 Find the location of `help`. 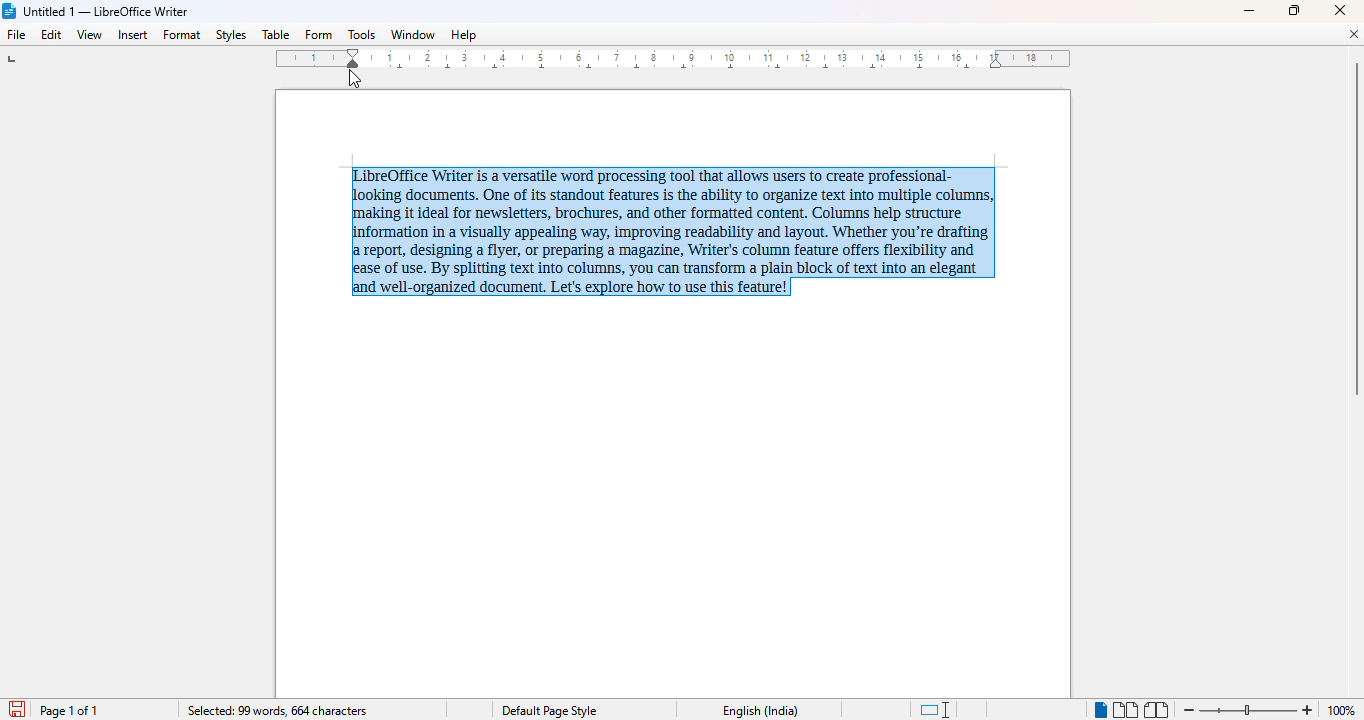

help is located at coordinates (464, 34).